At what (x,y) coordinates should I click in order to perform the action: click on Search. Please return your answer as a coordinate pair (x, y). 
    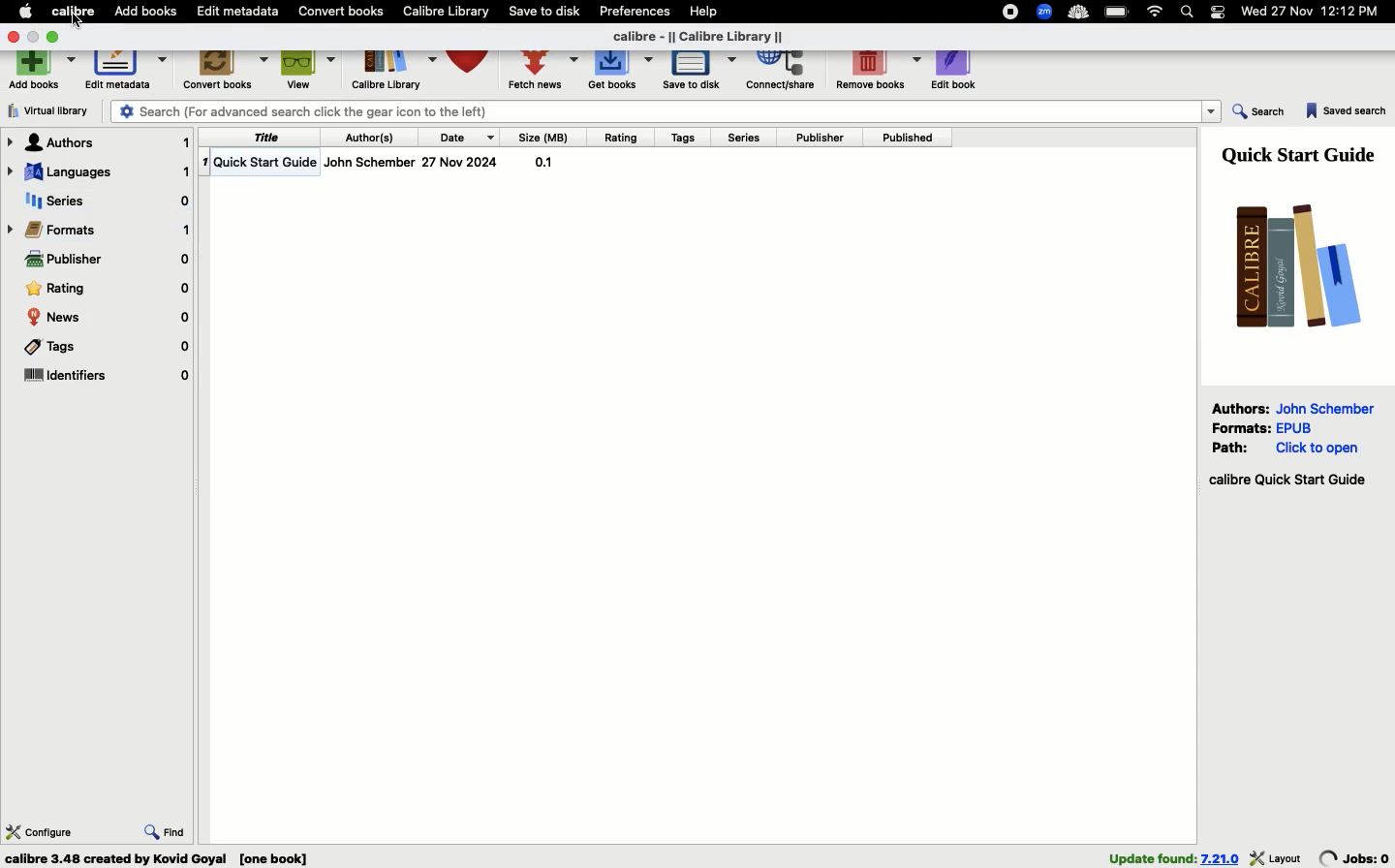
    Looking at the image, I should click on (1259, 113).